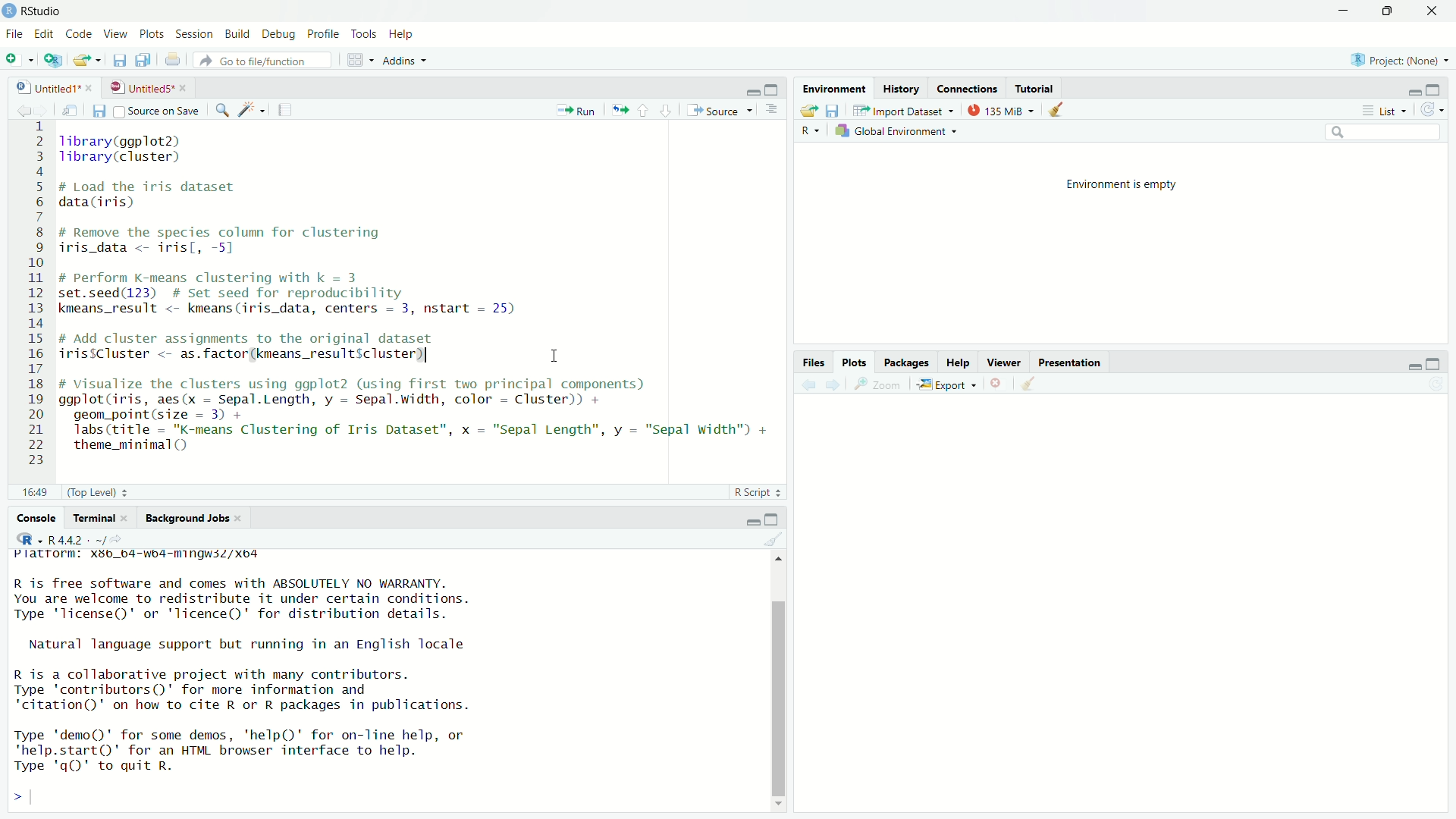  Describe the element at coordinates (44, 35) in the screenshot. I see `edit` at that location.